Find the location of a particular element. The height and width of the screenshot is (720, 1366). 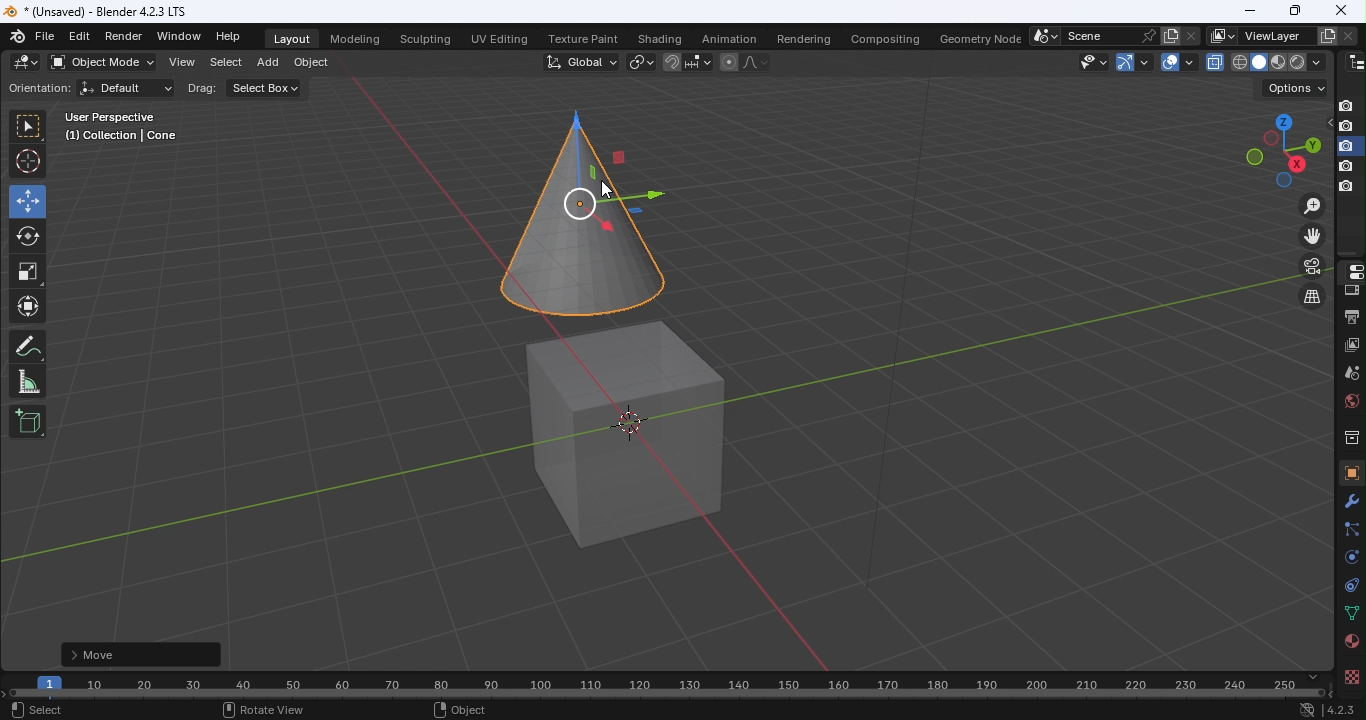

Add cube is located at coordinates (28, 420).